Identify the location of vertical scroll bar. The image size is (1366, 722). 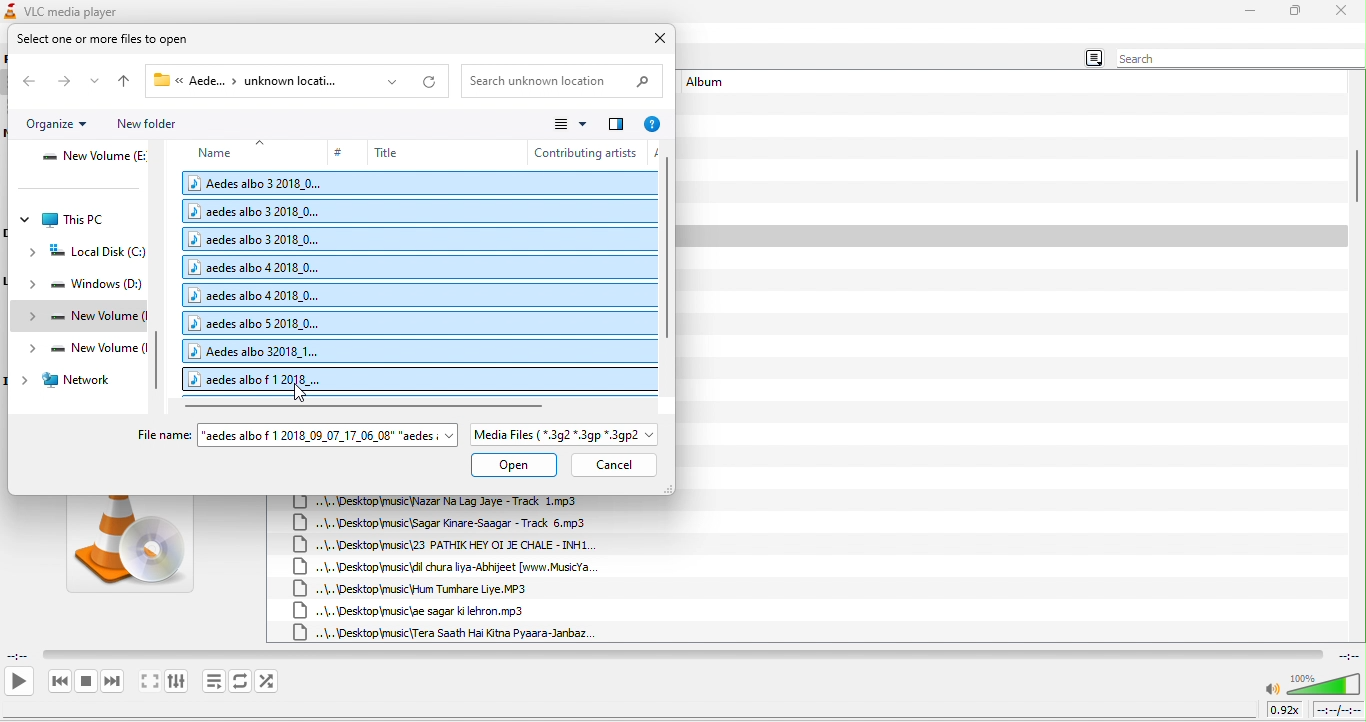
(1356, 176).